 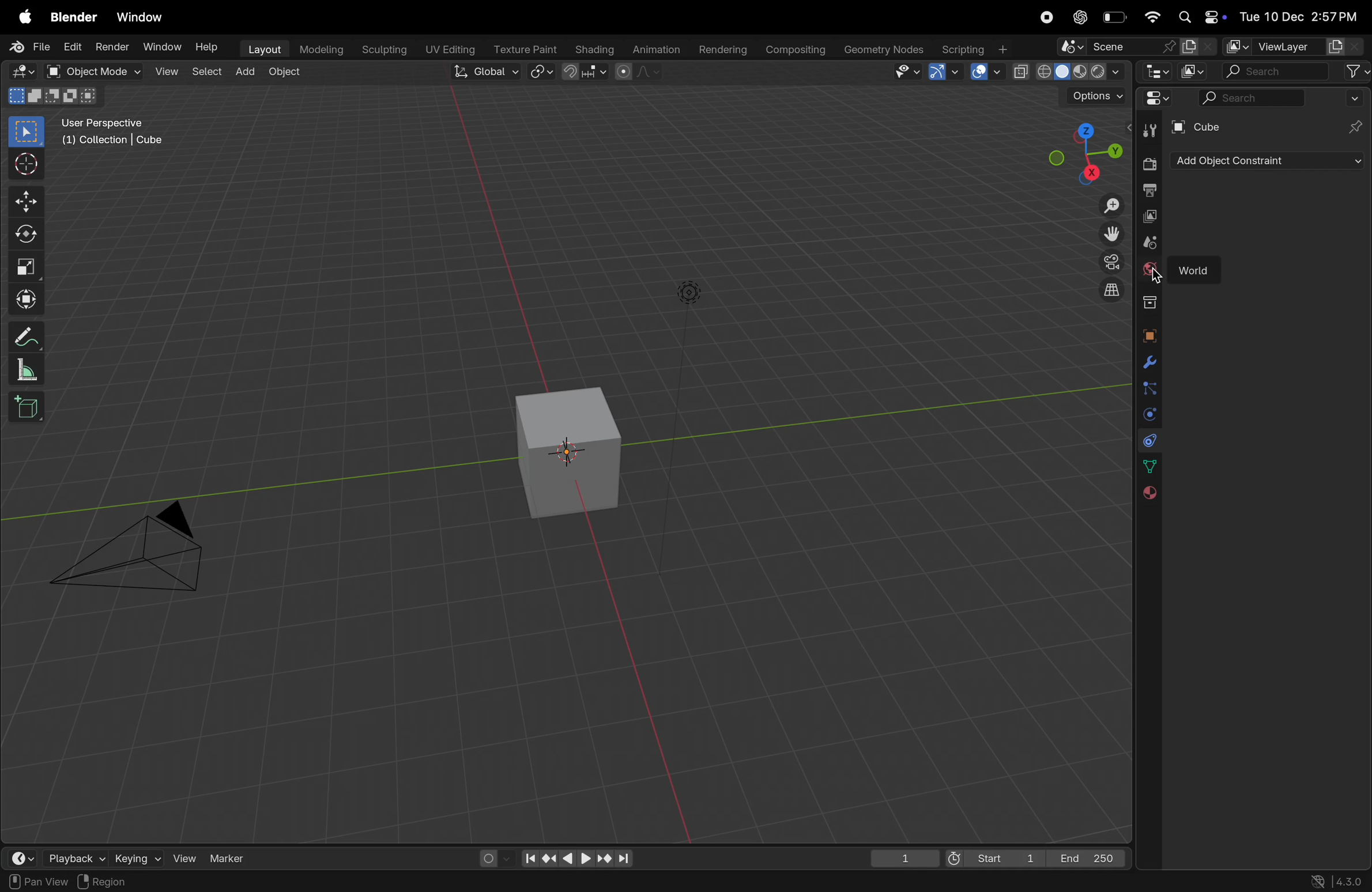 I want to click on Region, so click(x=115, y=881).